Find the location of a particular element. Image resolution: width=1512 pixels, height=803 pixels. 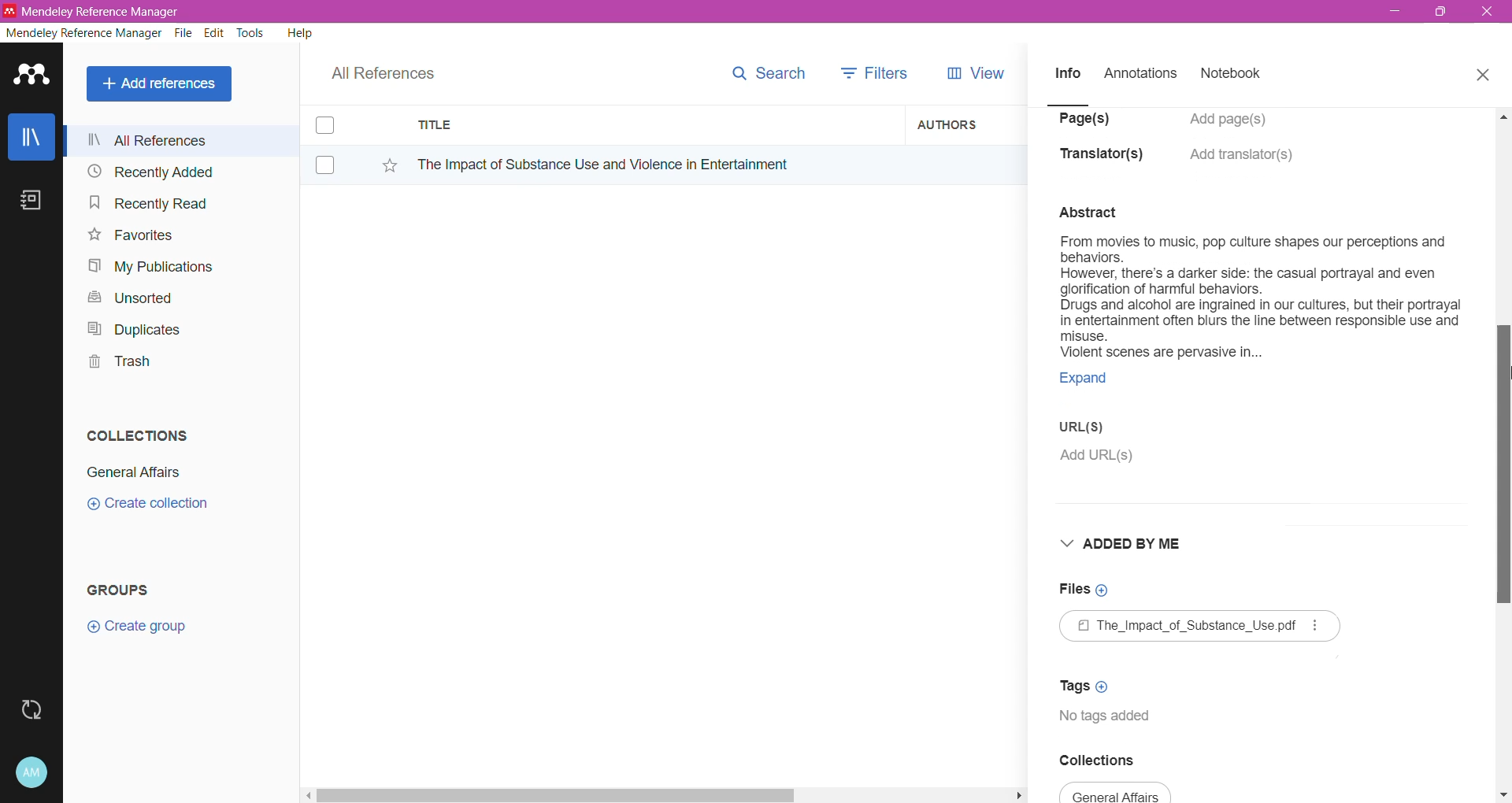

add pages is located at coordinates (1234, 119).